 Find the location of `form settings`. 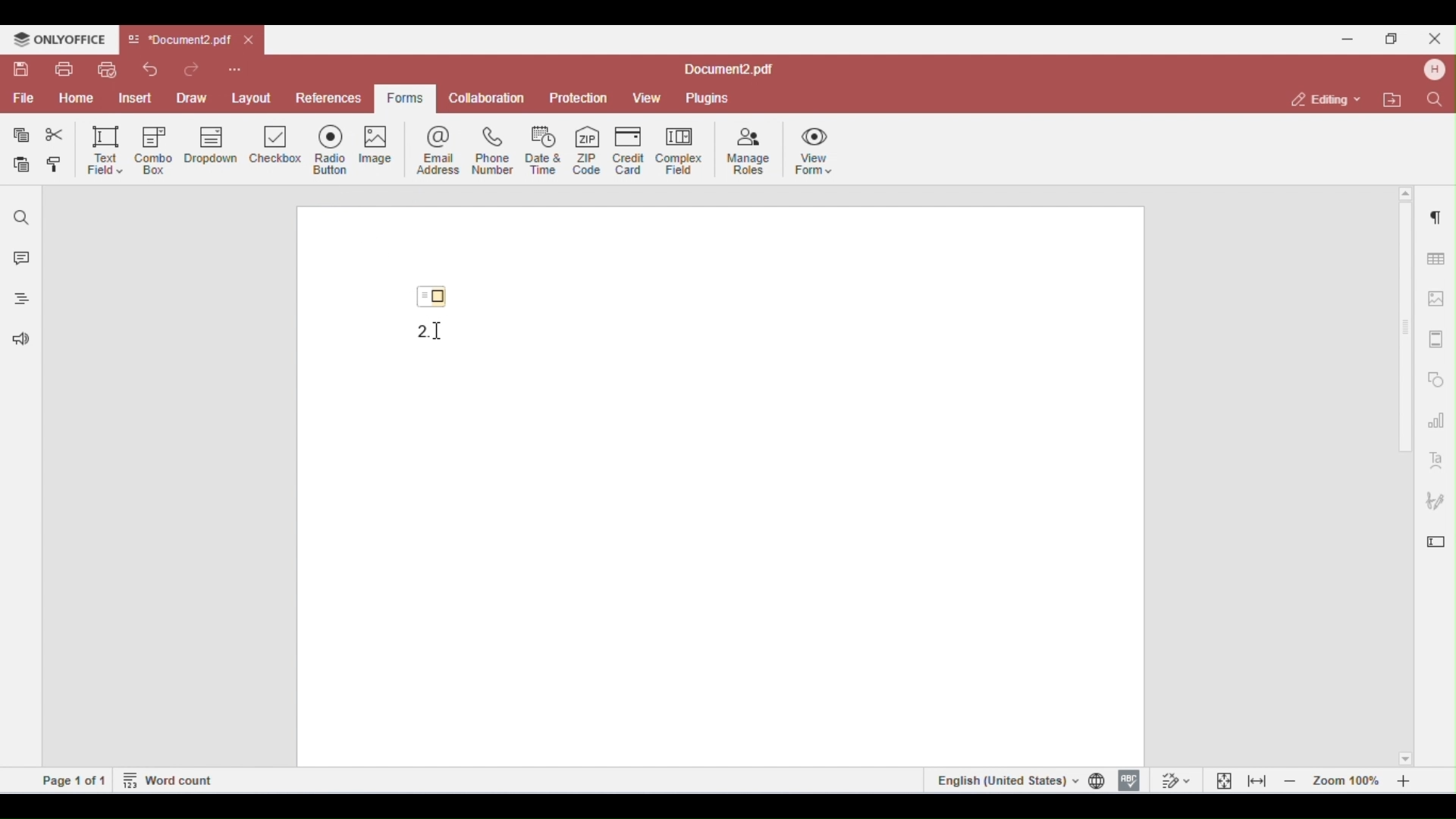

form settings is located at coordinates (1436, 538).